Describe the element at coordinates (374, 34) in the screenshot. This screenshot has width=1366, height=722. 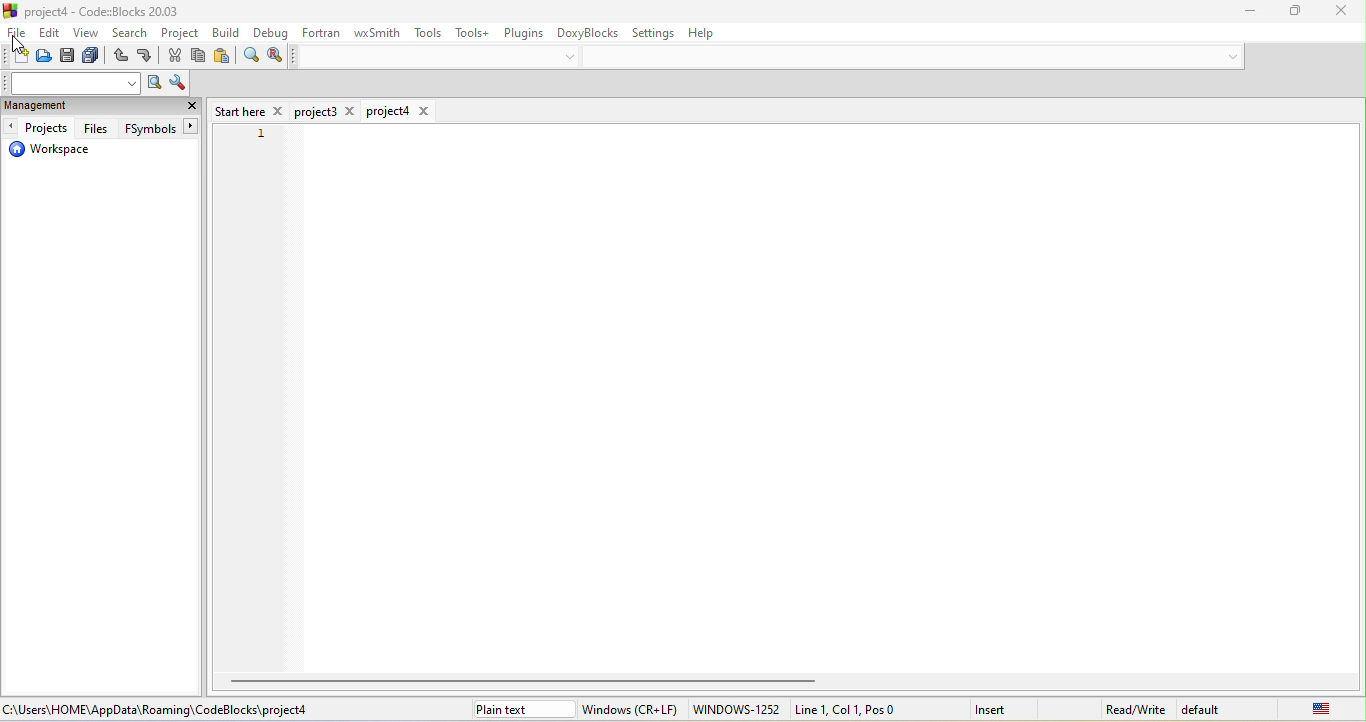
I see `wxsmith` at that location.